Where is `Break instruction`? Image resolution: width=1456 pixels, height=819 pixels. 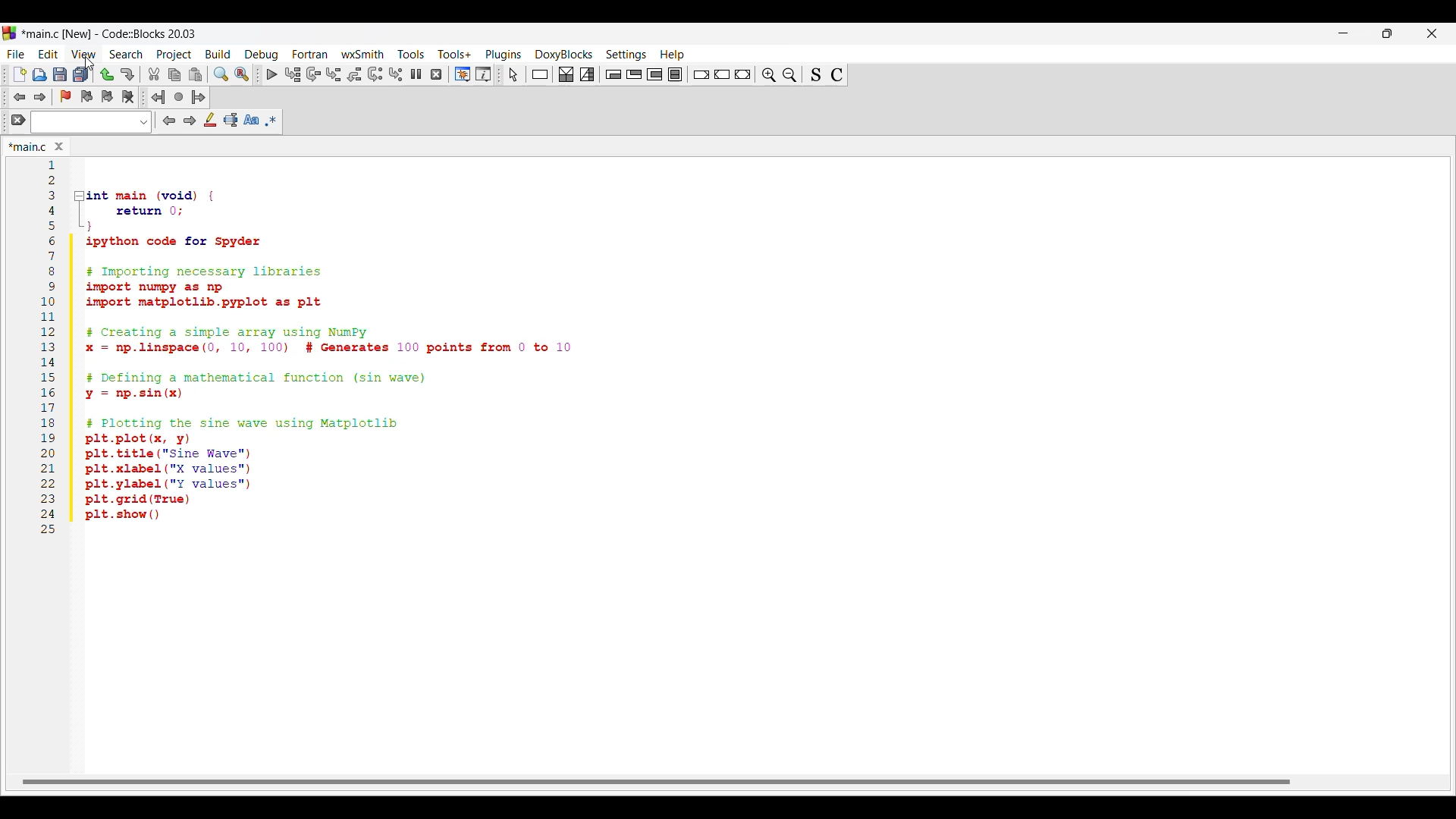
Break instruction is located at coordinates (701, 74).